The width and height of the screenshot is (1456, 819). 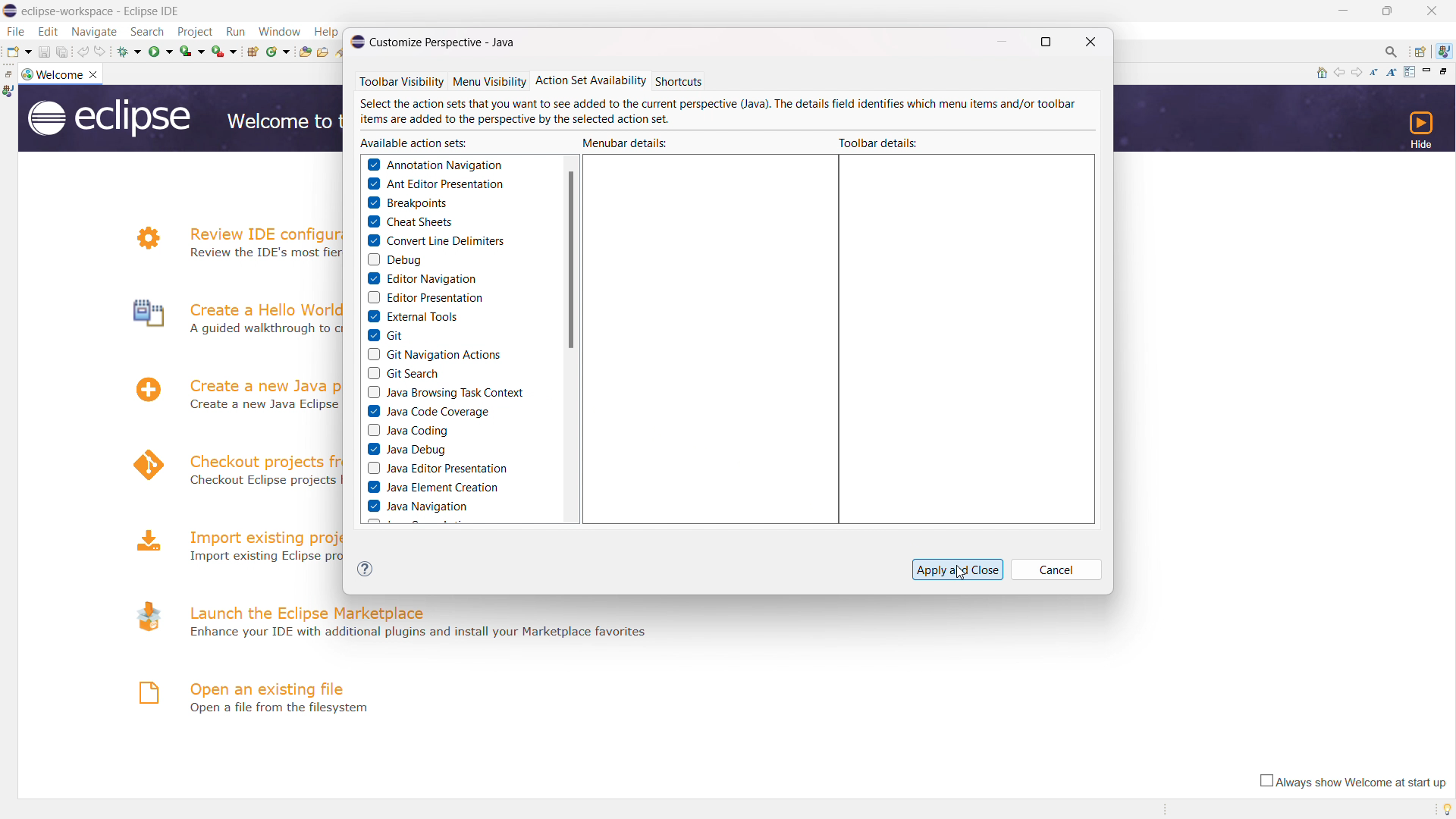 I want to click on new, so click(x=18, y=52).